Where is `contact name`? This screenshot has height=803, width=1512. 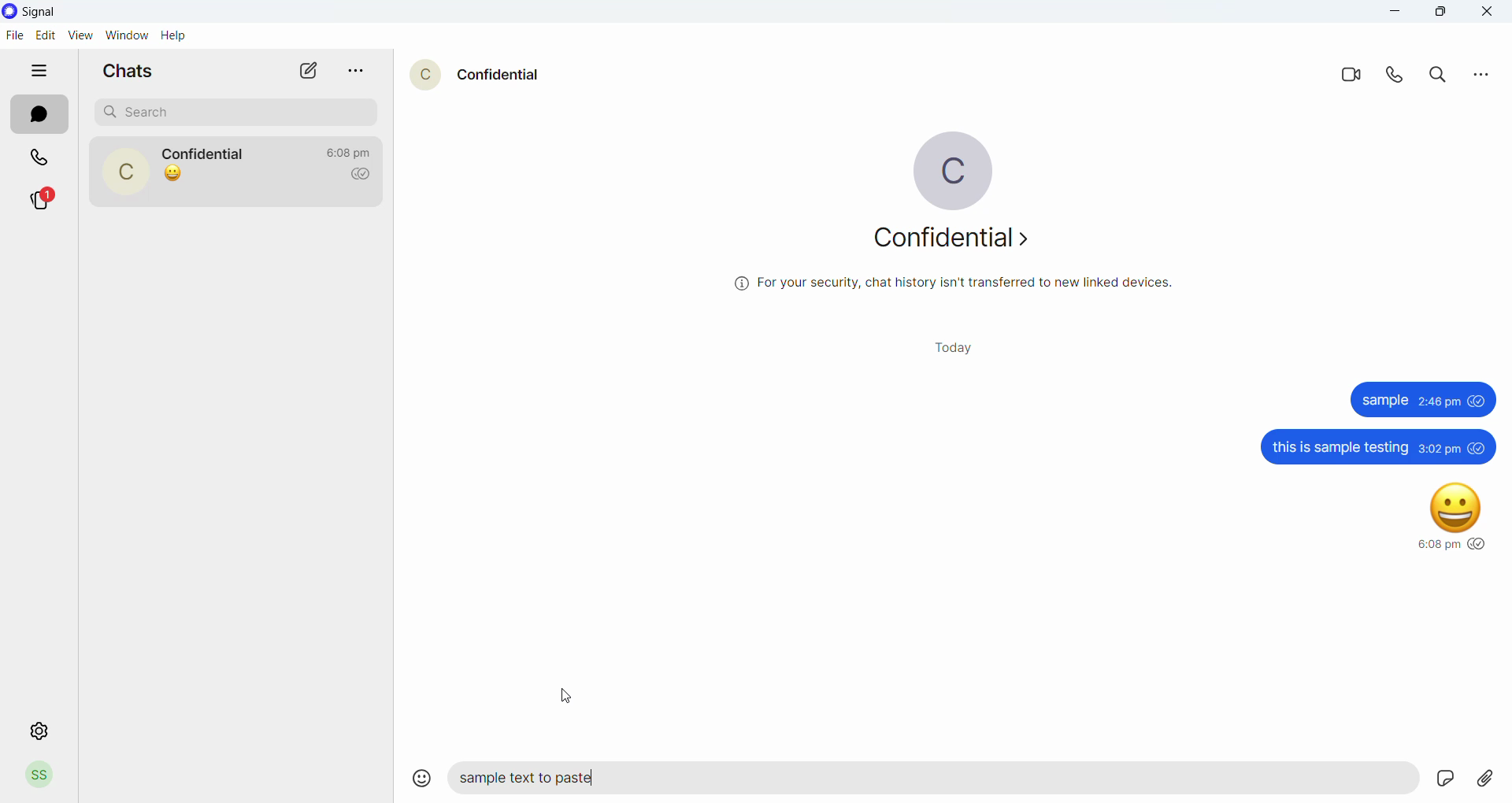
contact name is located at coordinates (209, 154).